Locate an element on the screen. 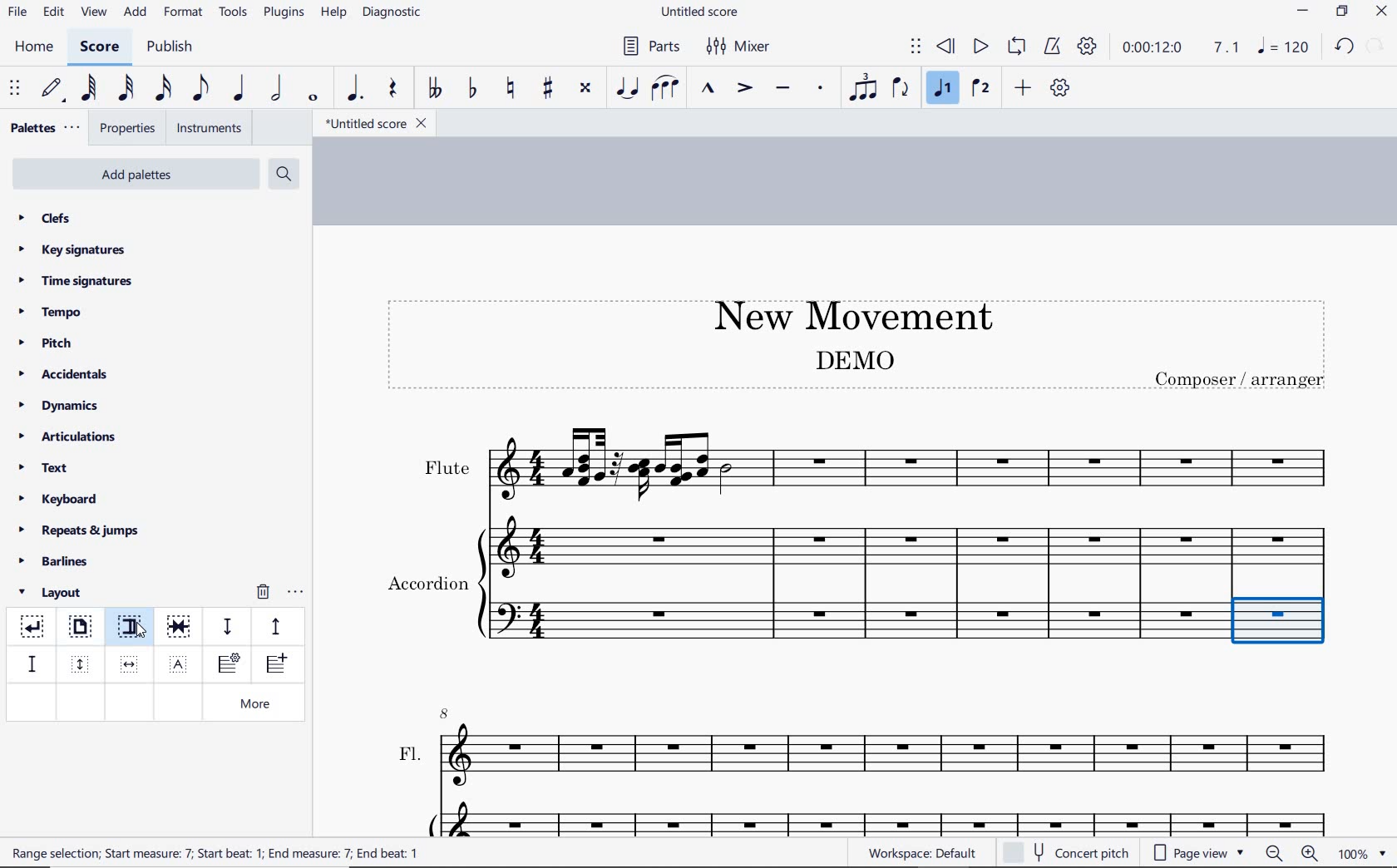  add  is located at coordinates (137, 12).